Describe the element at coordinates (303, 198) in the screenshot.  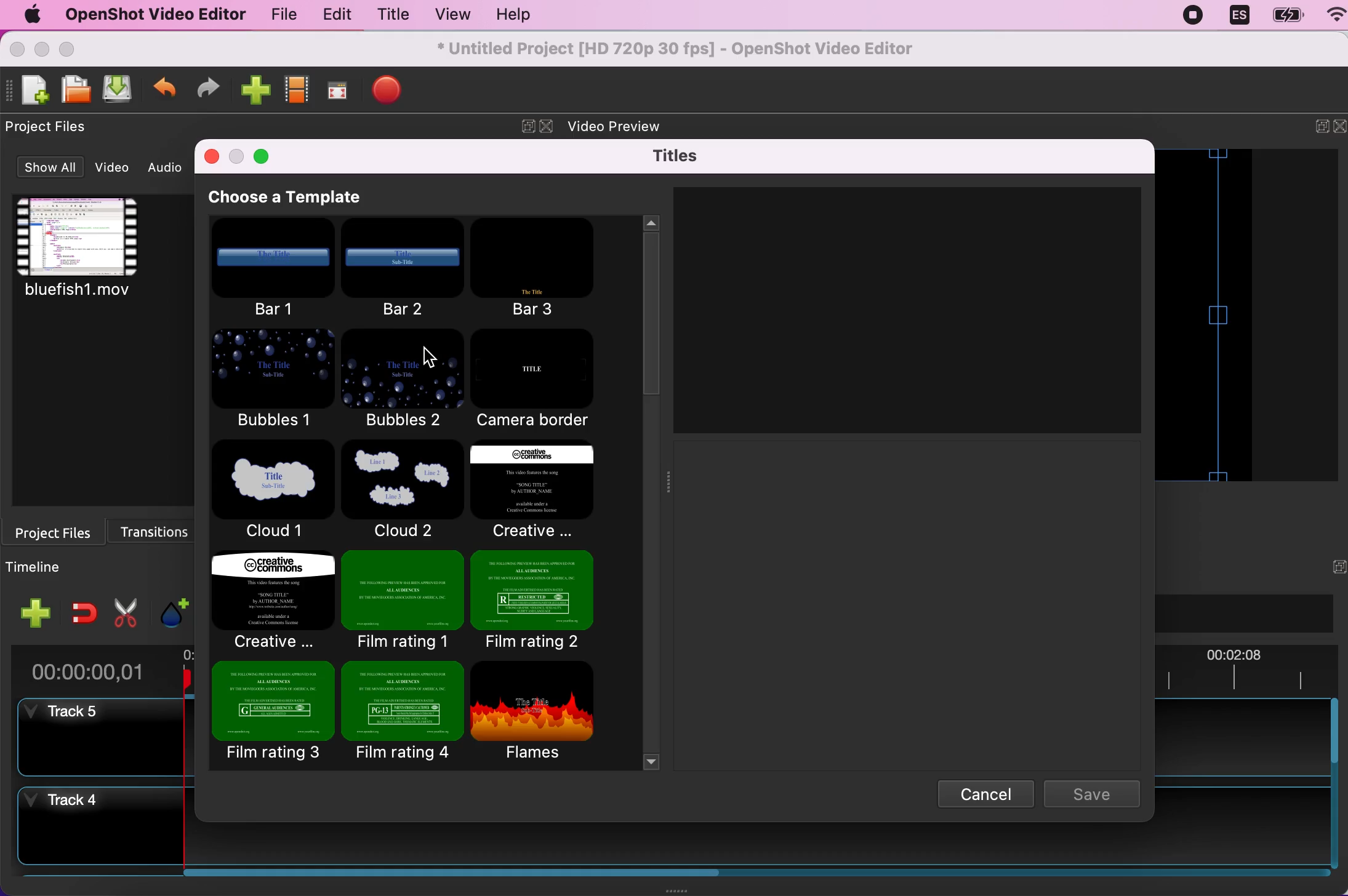
I see `choose a template` at that location.